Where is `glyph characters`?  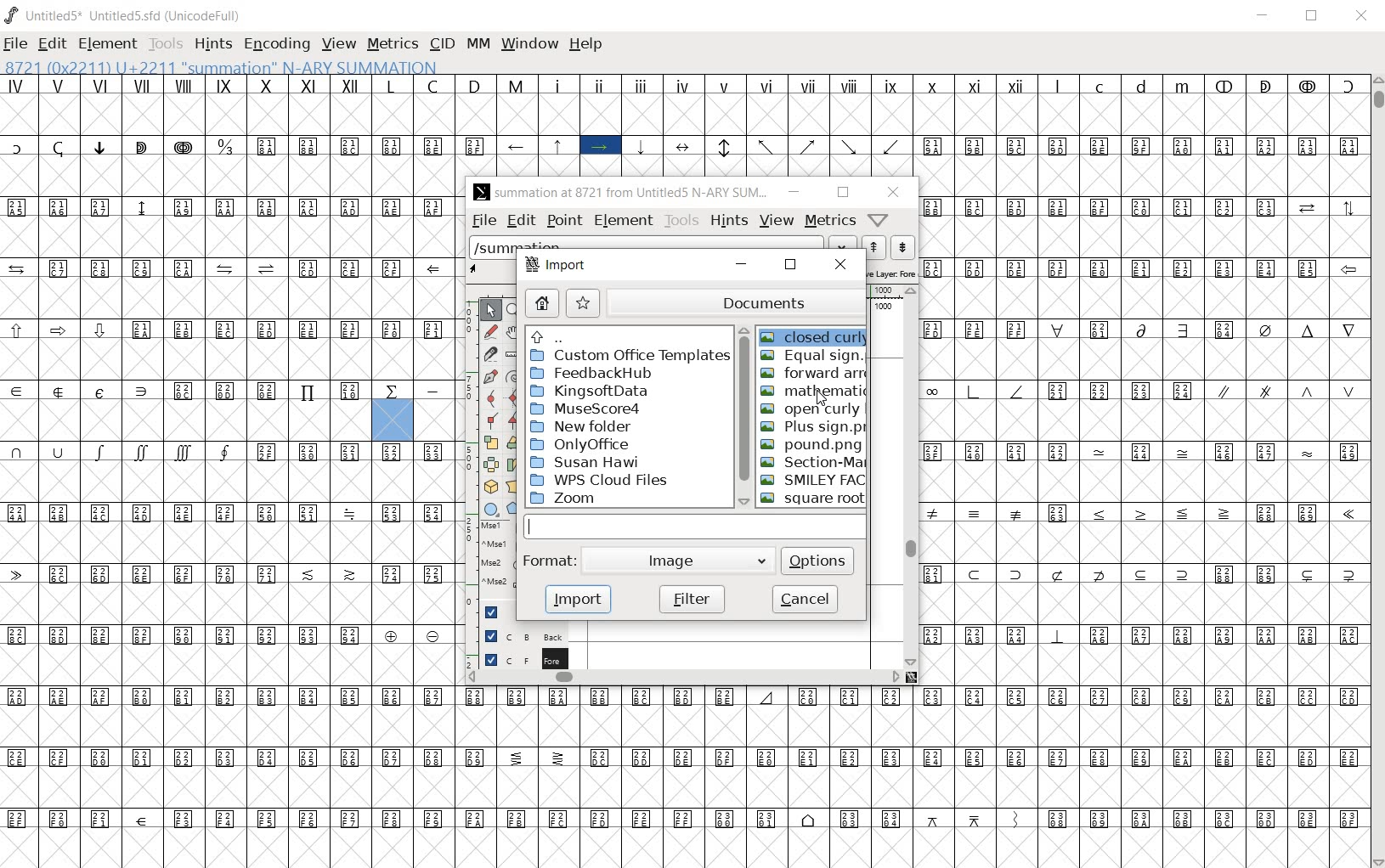 glyph characters is located at coordinates (911, 126).